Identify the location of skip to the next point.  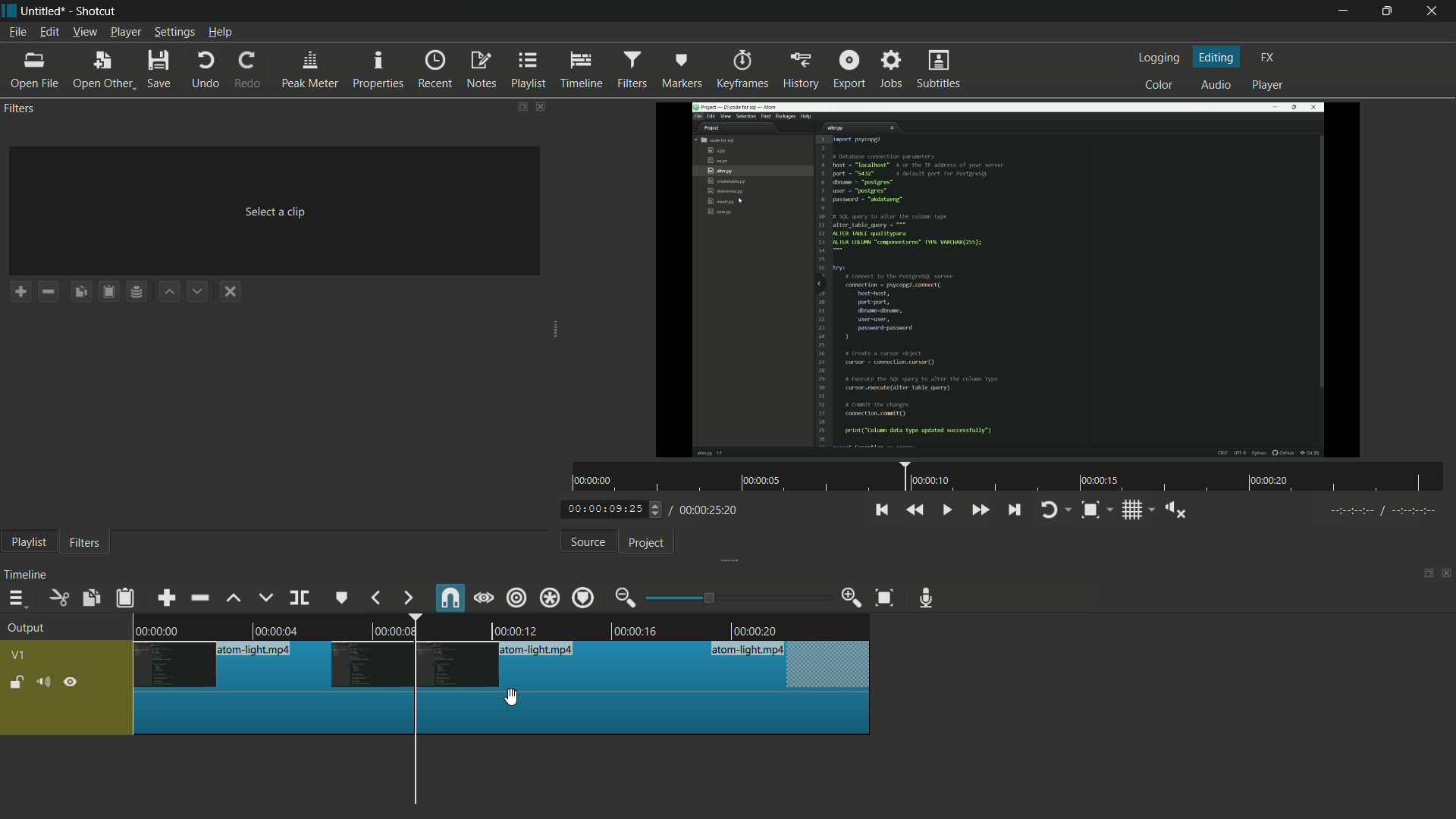
(1016, 511).